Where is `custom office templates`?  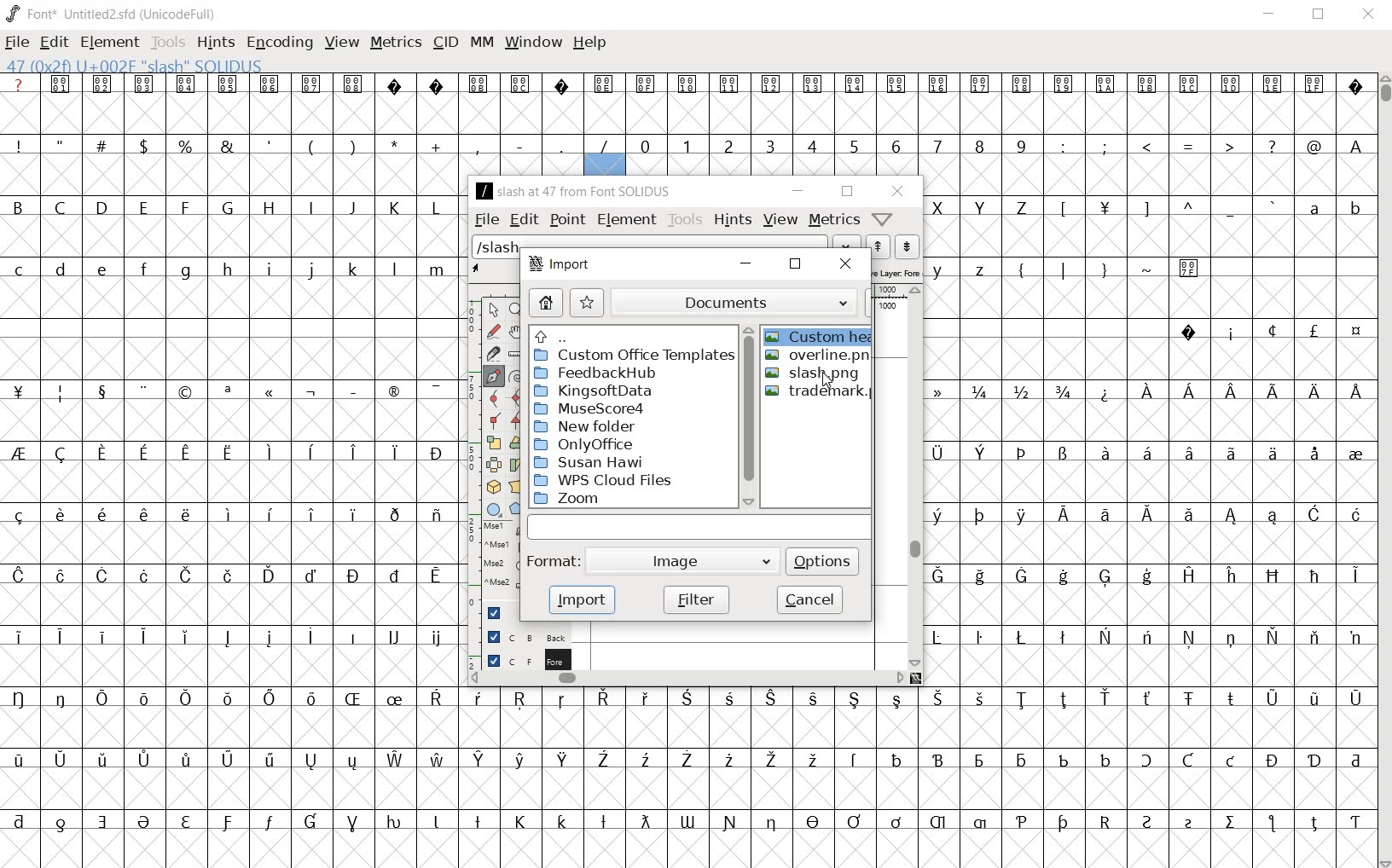 custom office templates is located at coordinates (633, 356).